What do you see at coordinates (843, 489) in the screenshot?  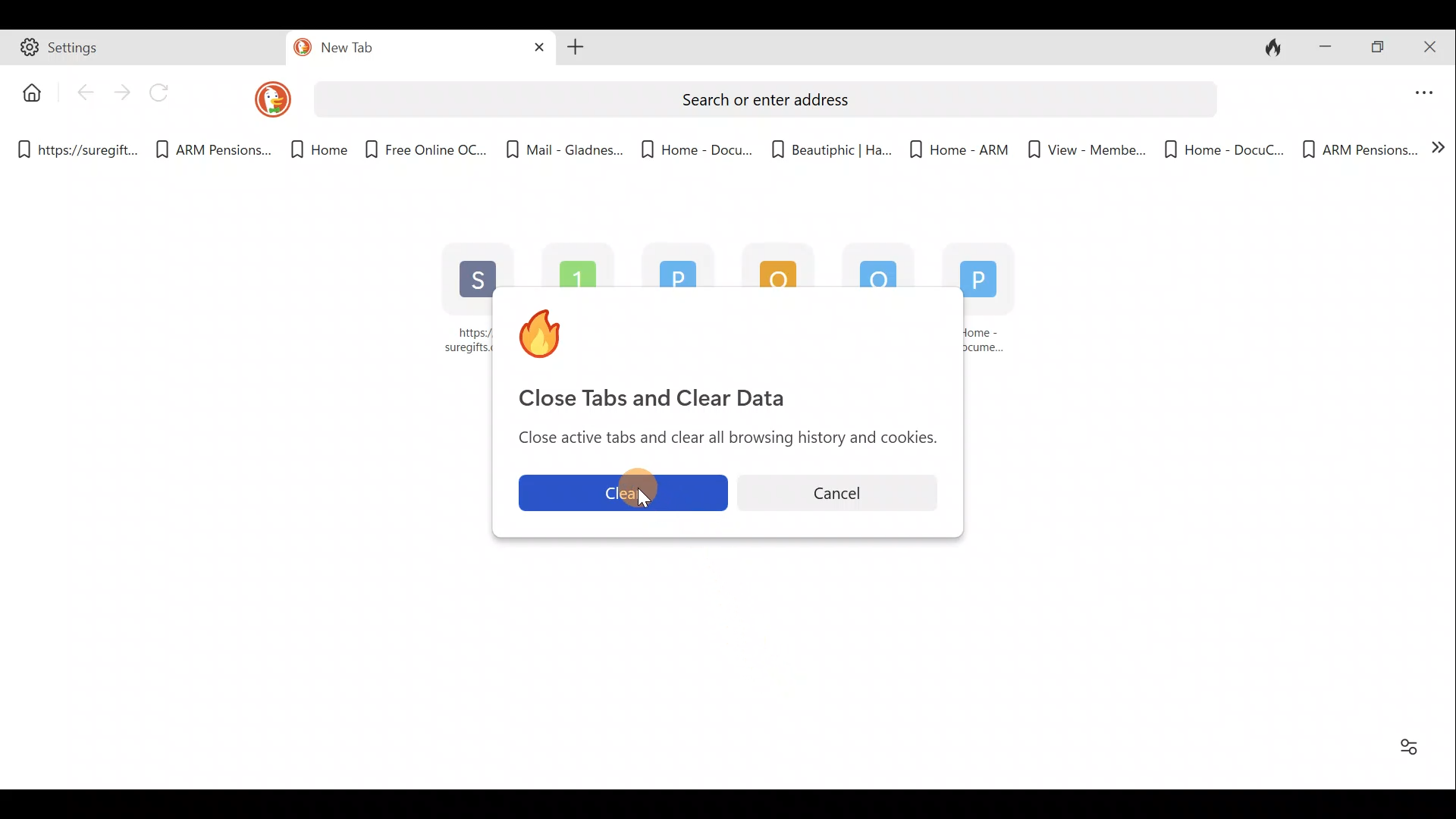 I see `Cancel` at bounding box center [843, 489].